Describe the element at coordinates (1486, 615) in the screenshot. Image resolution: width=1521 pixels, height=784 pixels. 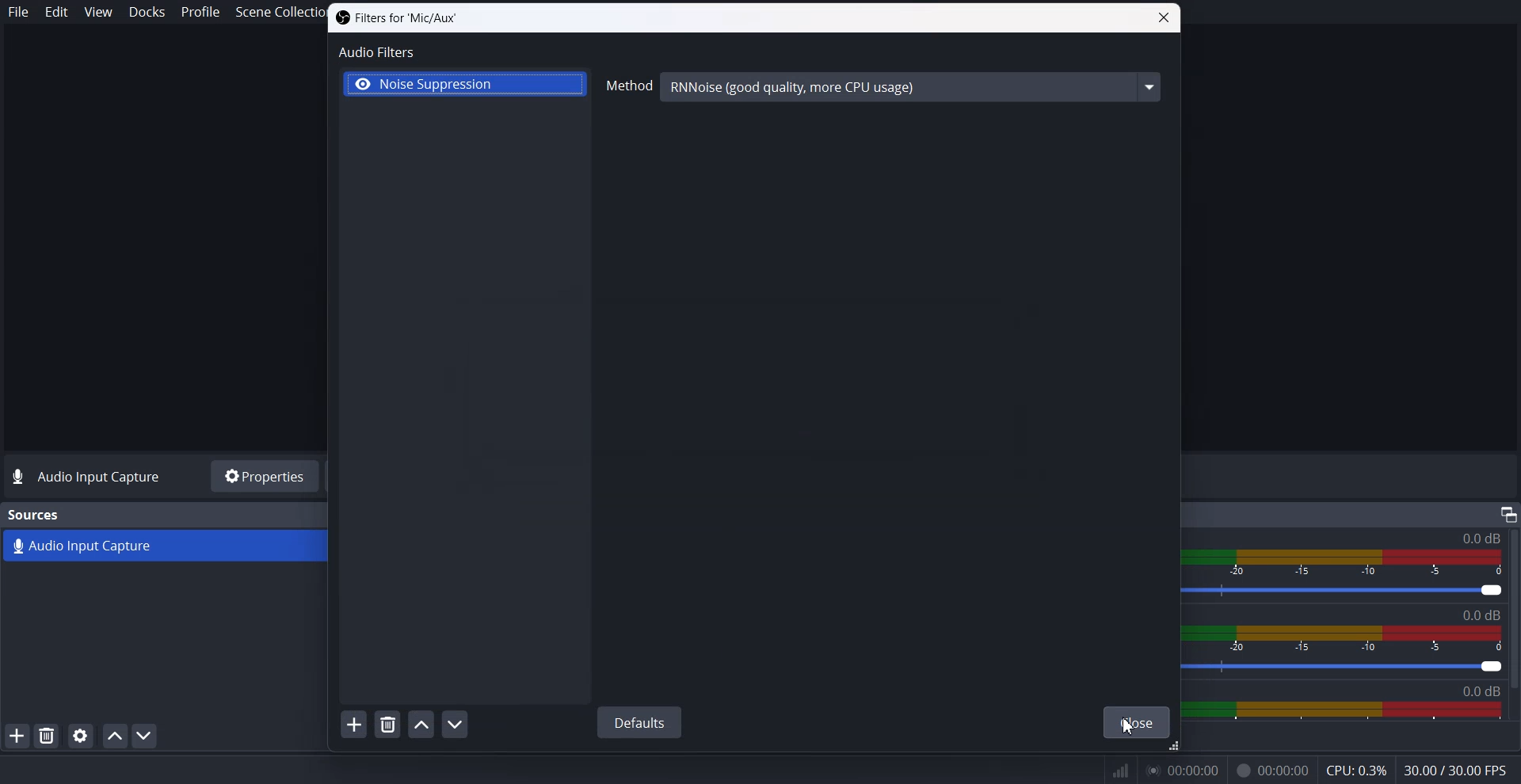
I see `Text` at that location.